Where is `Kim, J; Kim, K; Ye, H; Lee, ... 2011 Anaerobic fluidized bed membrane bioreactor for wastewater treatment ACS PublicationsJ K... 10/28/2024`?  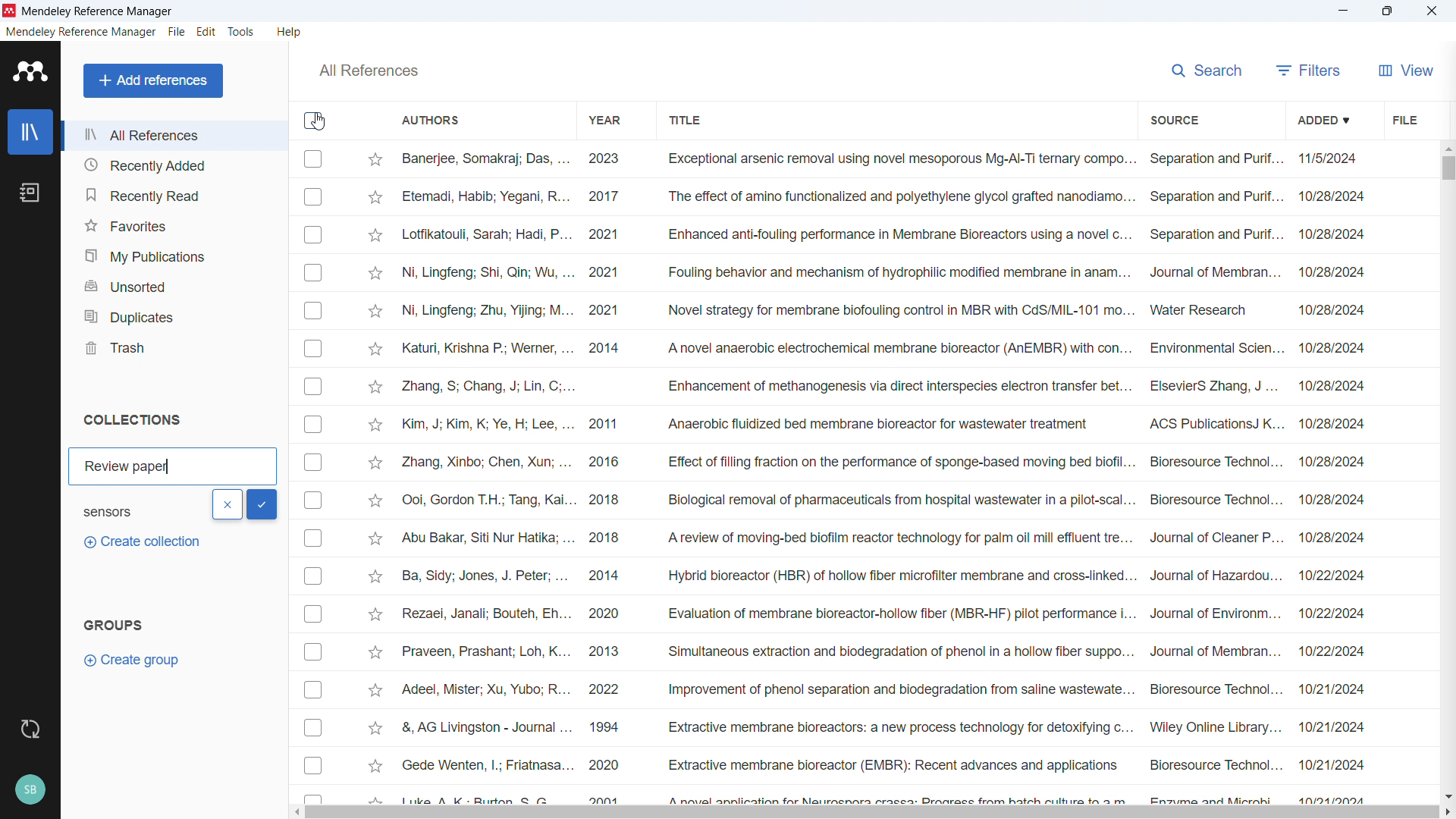
Kim, J; Kim, K; Ye, H; Lee, ... 2011 Anaerobic fluidized bed membrane bioreactor for wastewater treatment ACS PublicationsJ K... 10/28/2024 is located at coordinates (883, 423).